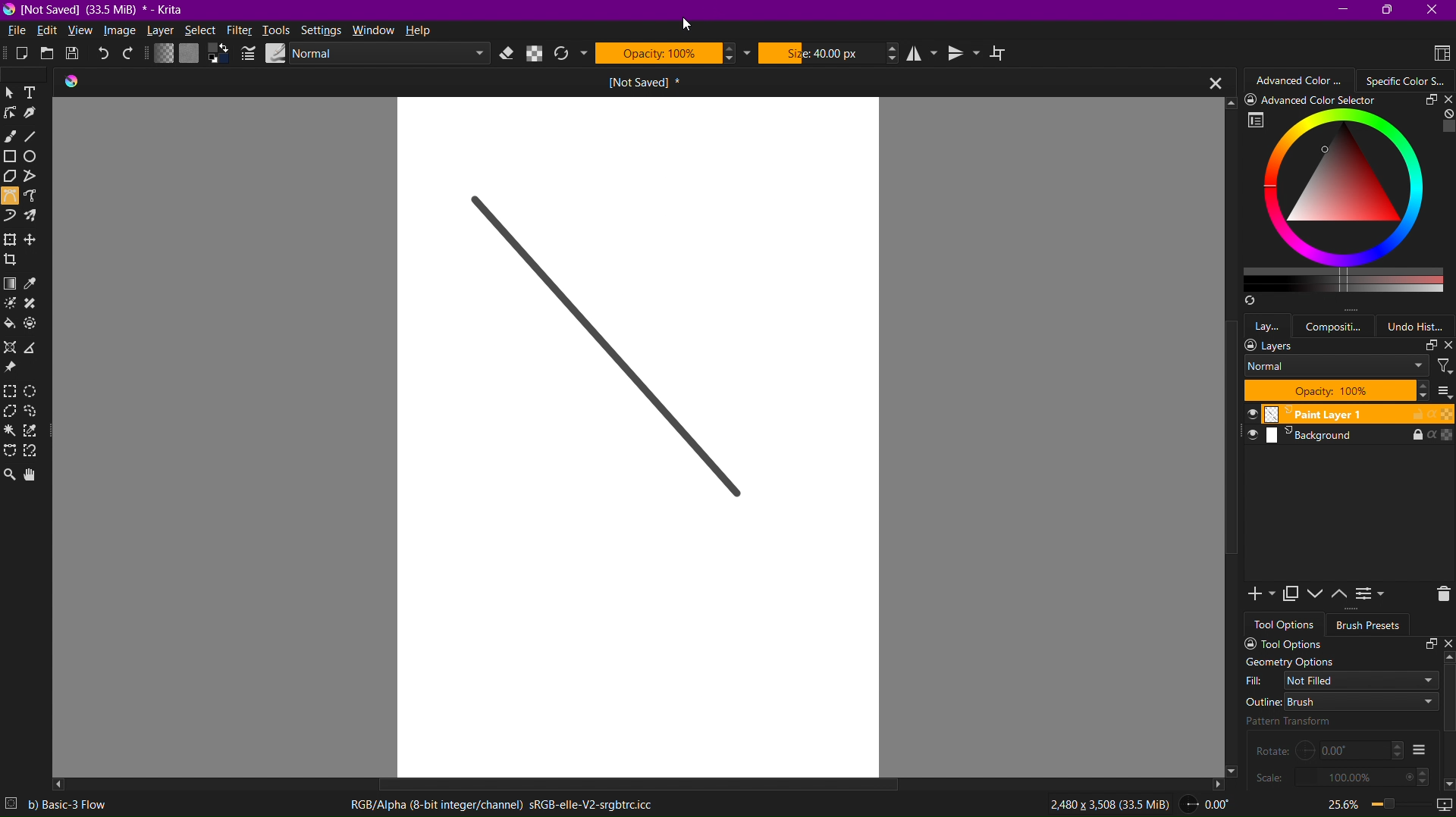 This screenshot has width=1456, height=817. Describe the element at coordinates (1269, 324) in the screenshot. I see `Layers` at that location.